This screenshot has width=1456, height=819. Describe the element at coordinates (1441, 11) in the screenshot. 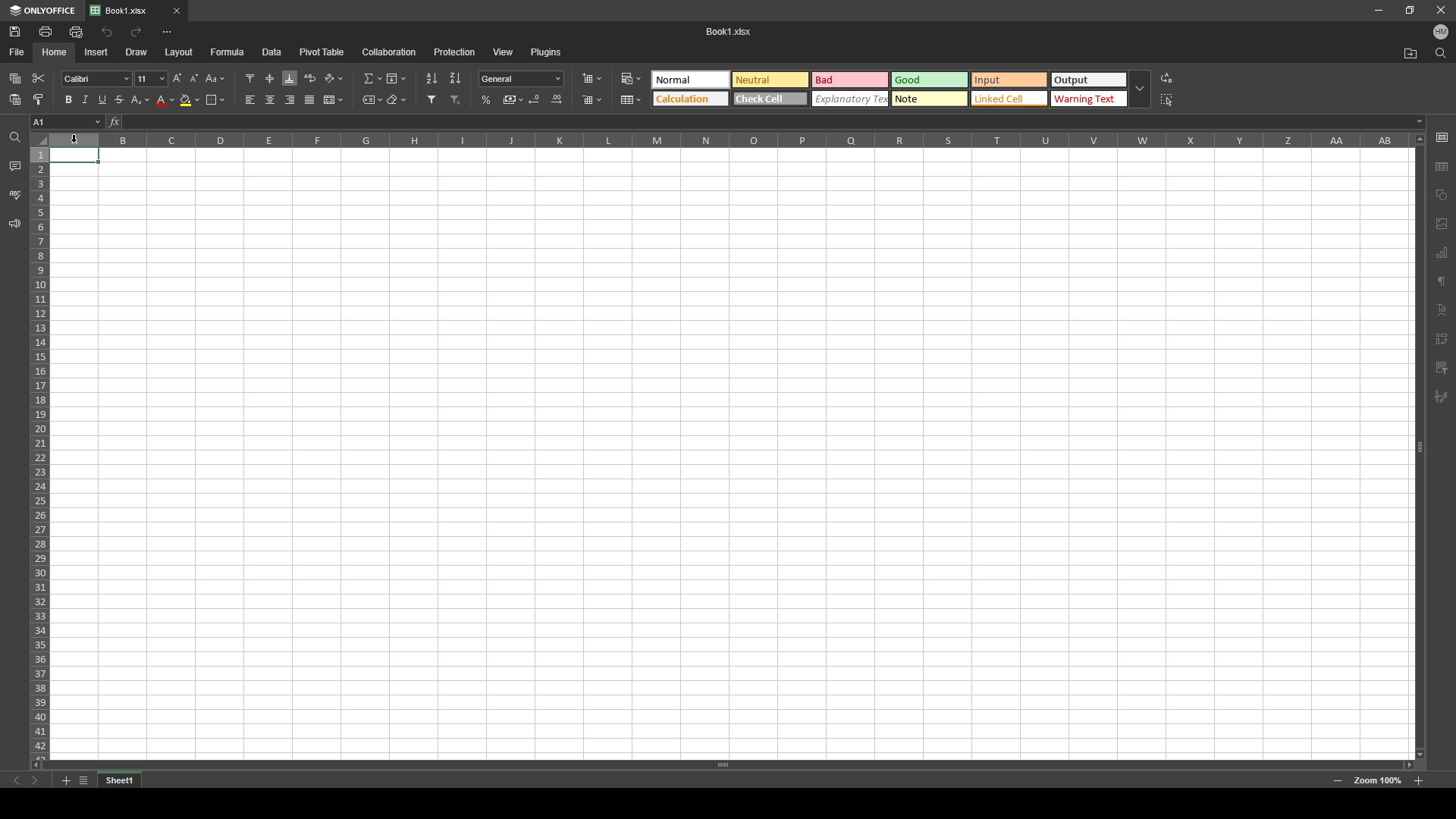

I see `close` at that location.